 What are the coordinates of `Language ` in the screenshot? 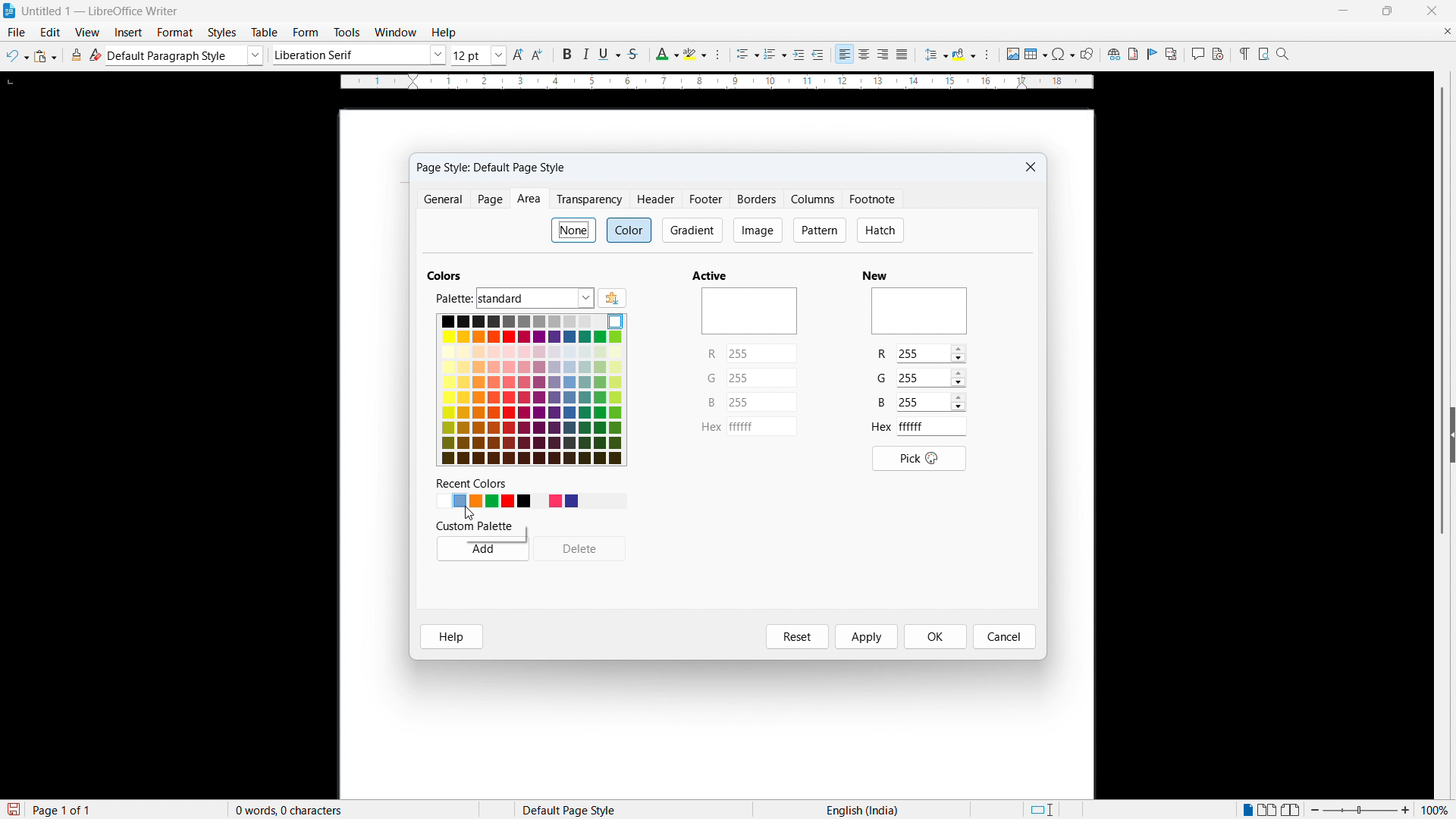 It's located at (862, 809).